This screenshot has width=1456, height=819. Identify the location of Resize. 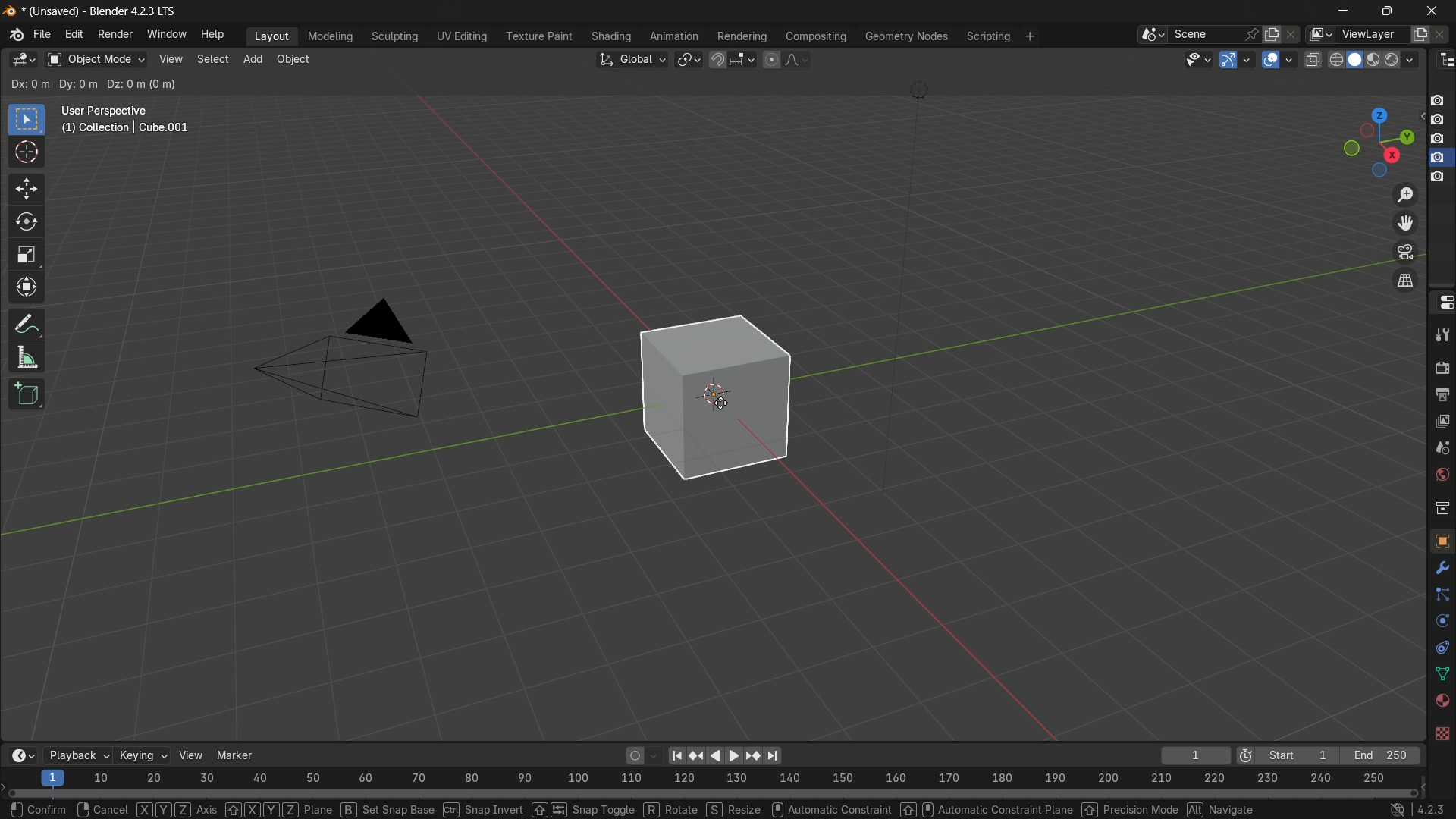
(733, 808).